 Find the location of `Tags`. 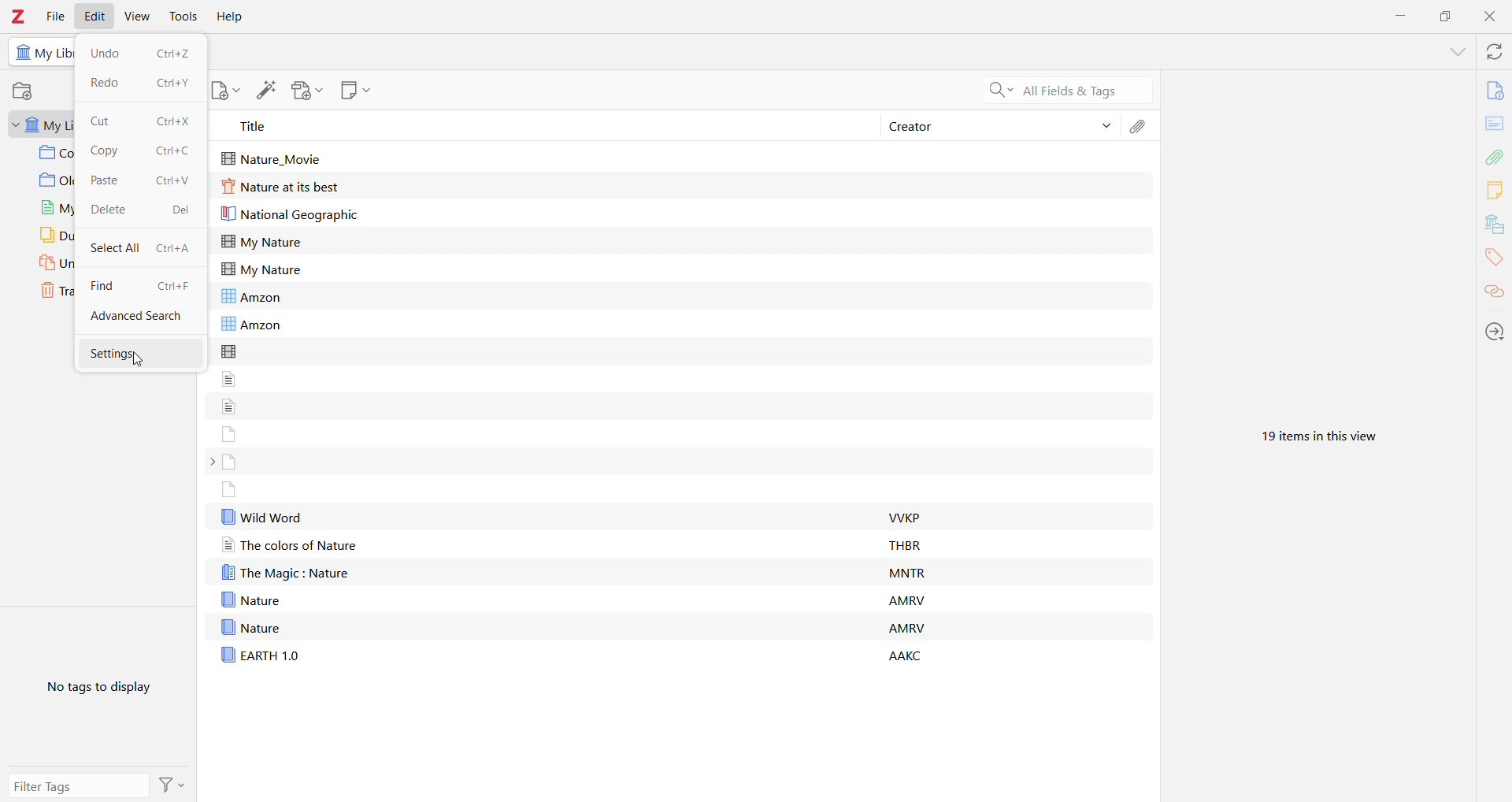

Tags is located at coordinates (1495, 260).